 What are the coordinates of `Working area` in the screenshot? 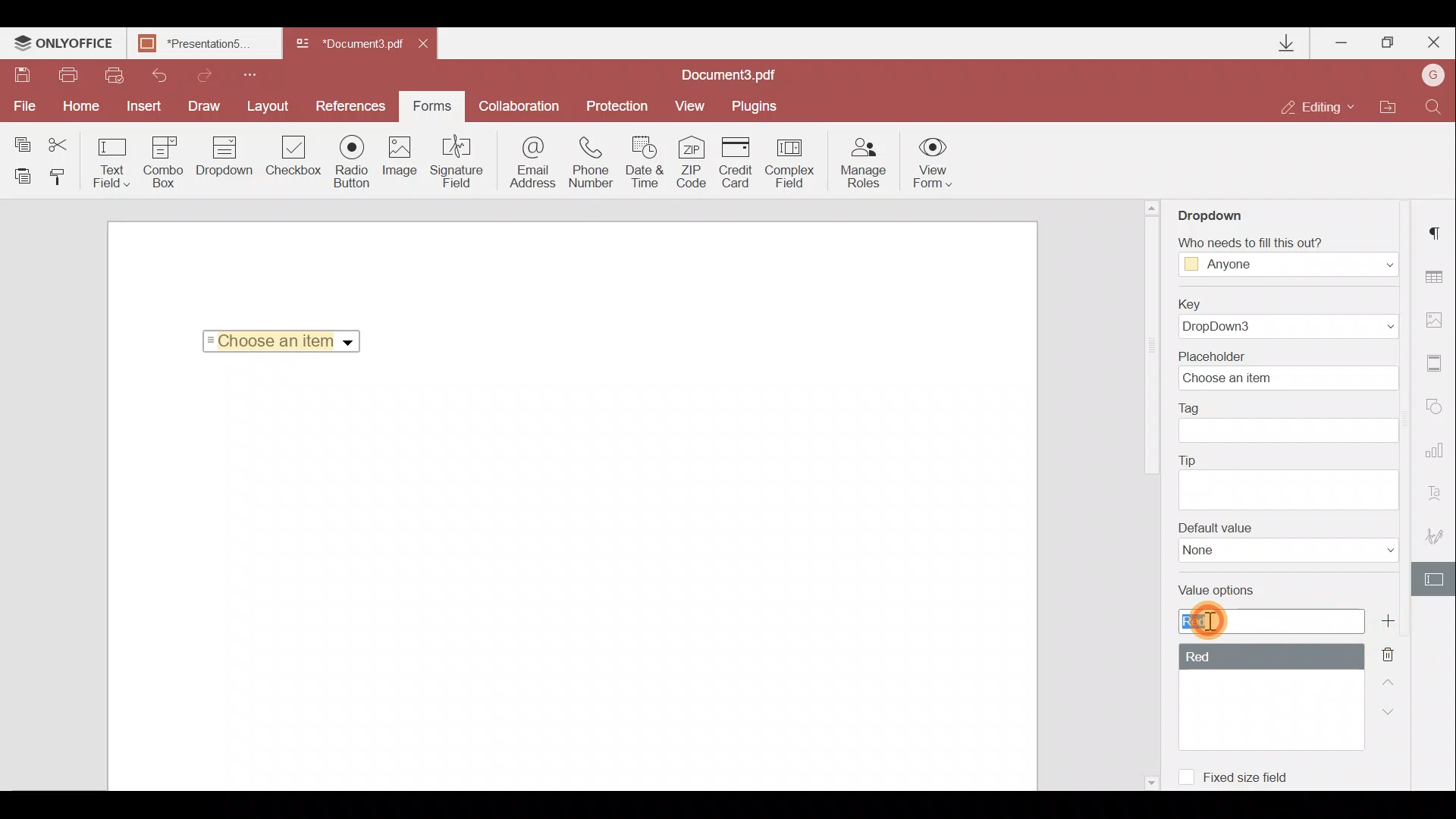 It's located at (570, 579).